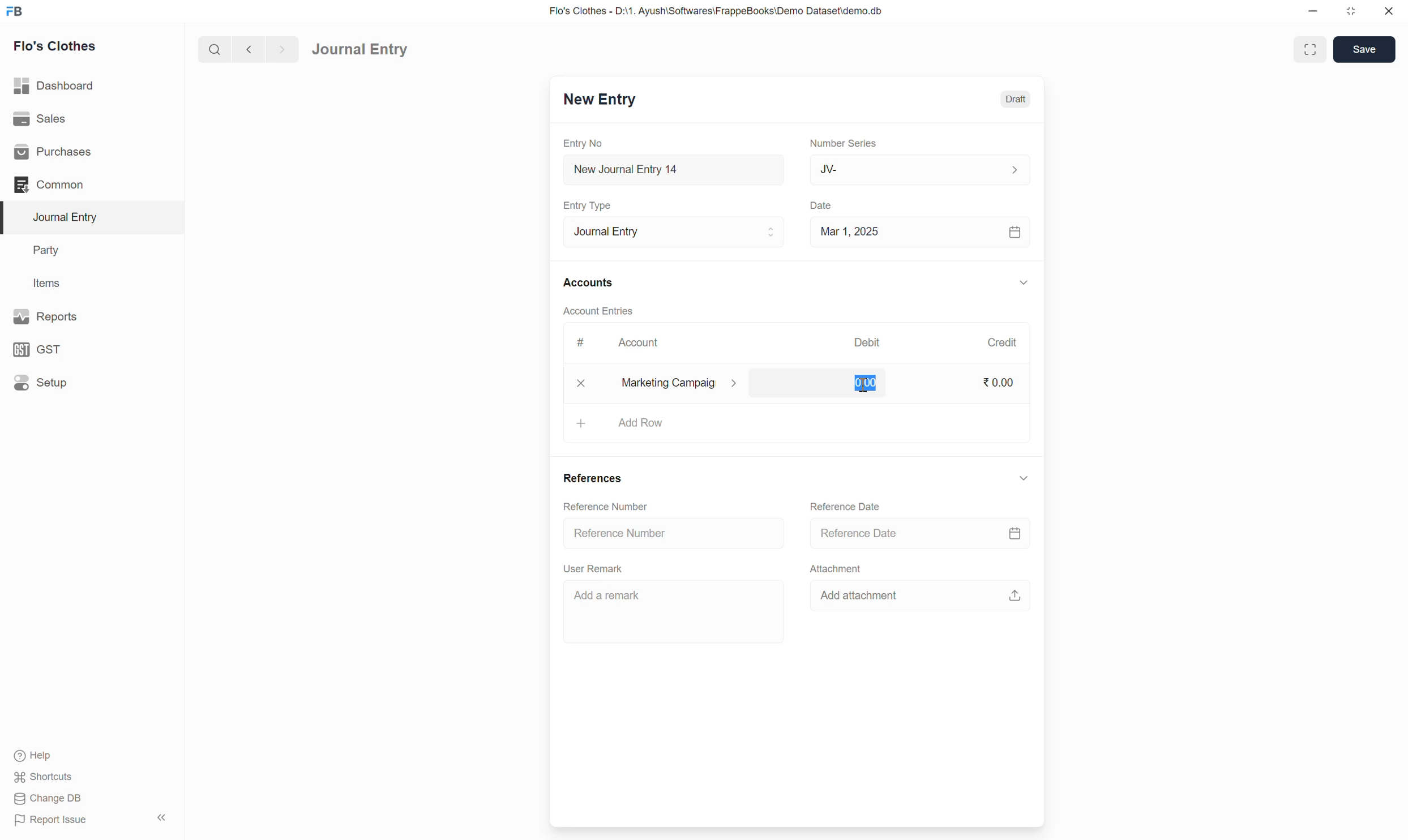  I want to click on Purchases, so click(56, 152).